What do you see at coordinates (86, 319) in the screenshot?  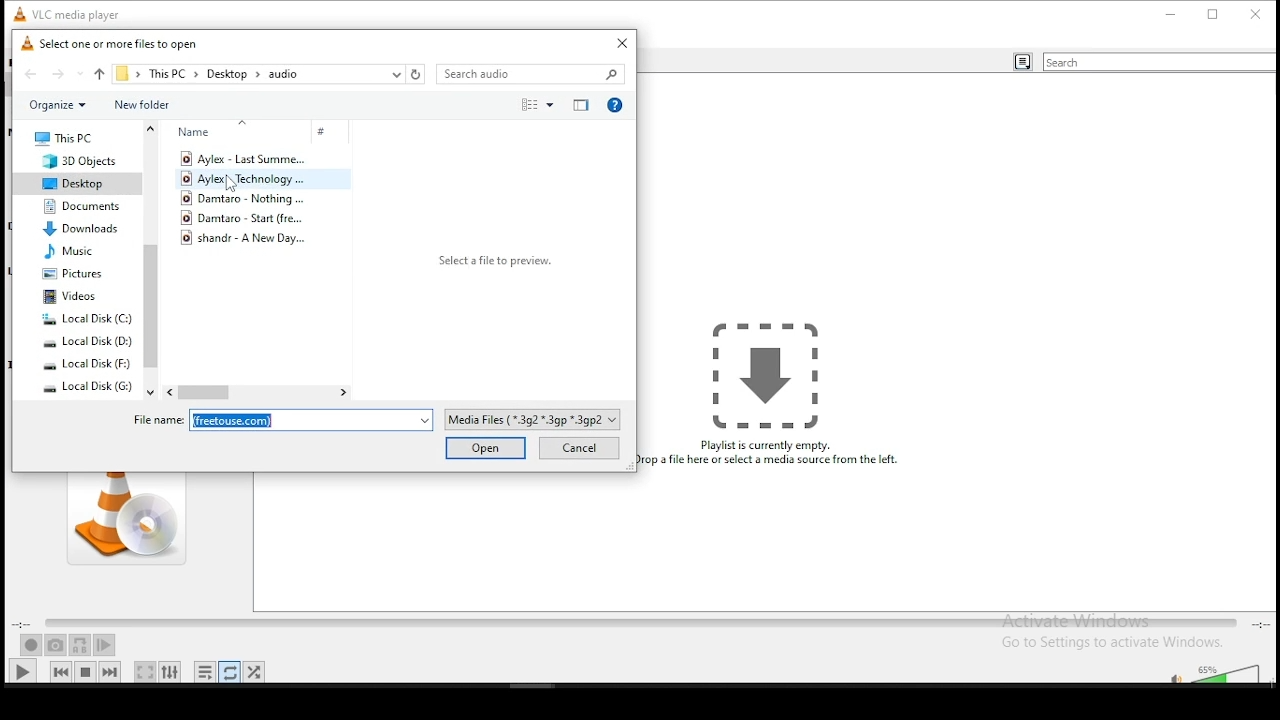 I see `local disk (C:)` at bounding box center [86, 319].